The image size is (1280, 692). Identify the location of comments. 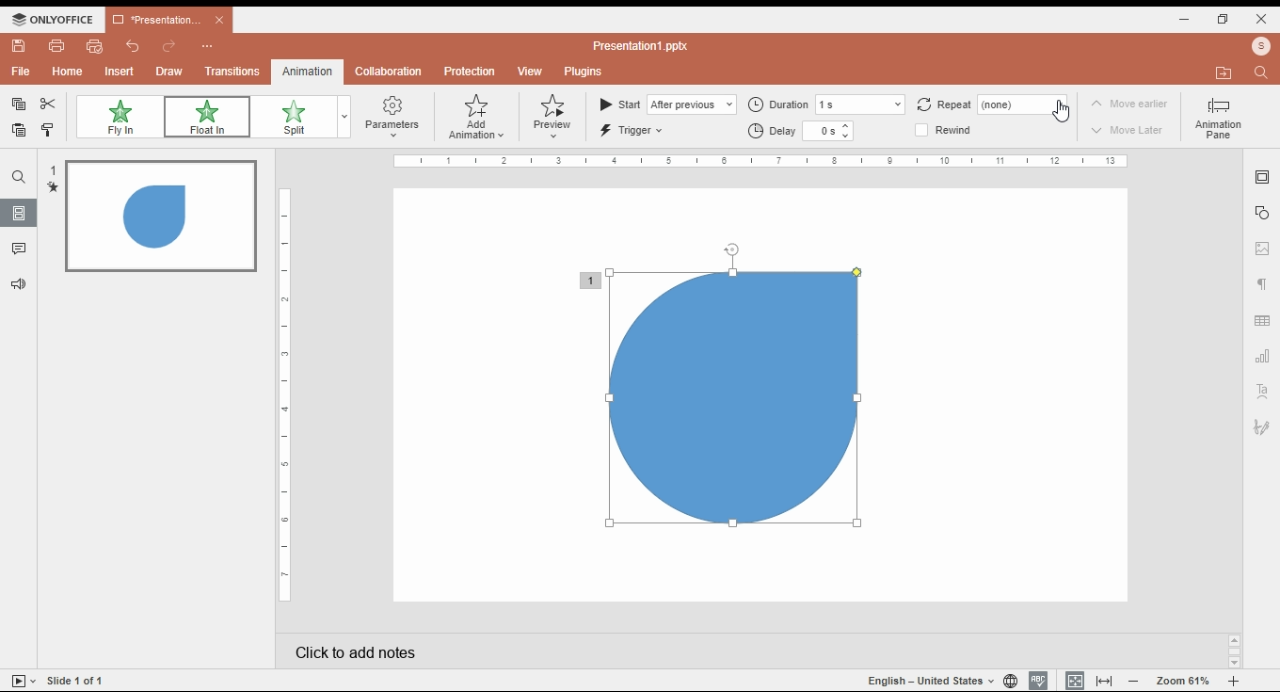
(19, 249).